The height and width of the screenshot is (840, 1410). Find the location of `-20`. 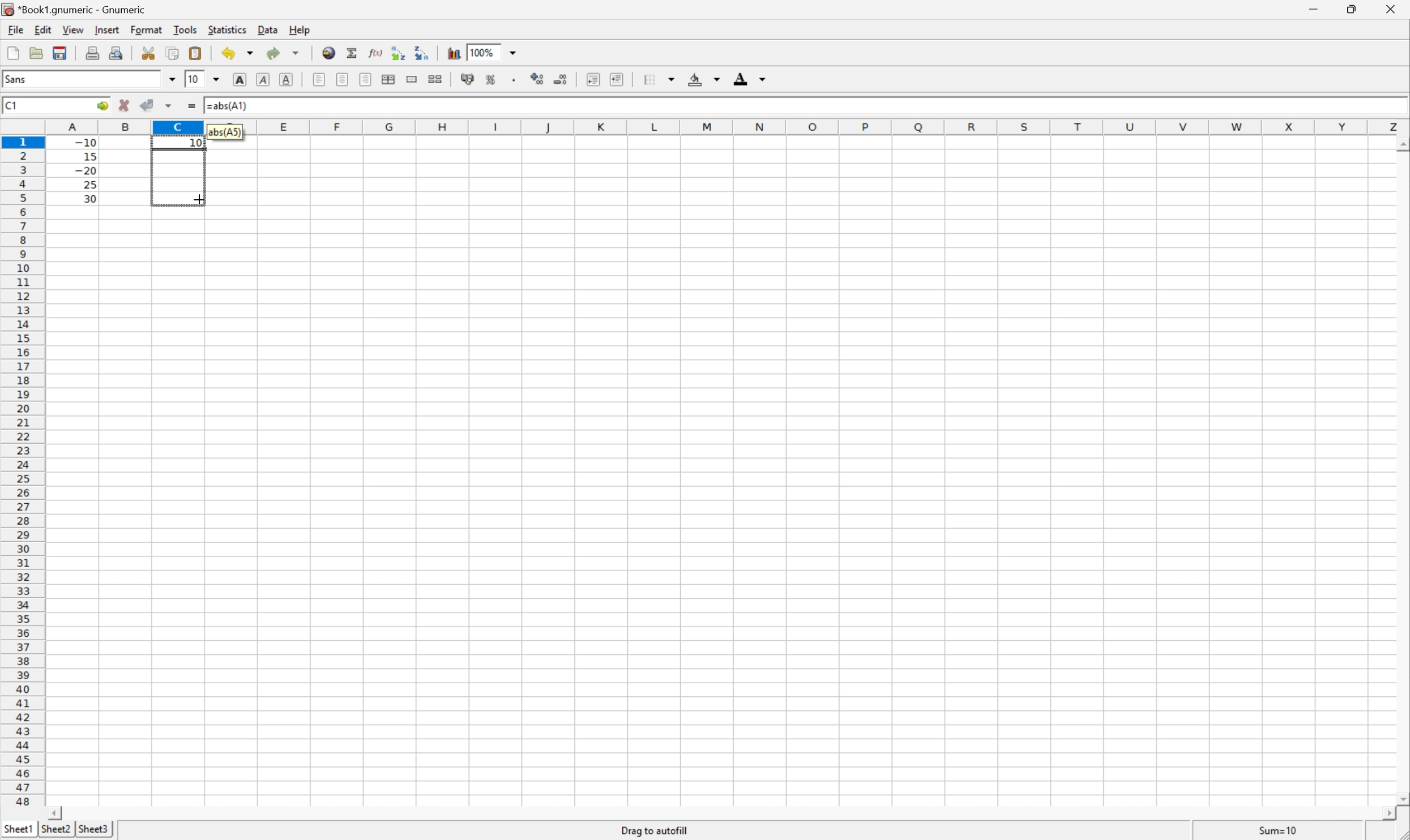

-20 is located at coordinates (86, 171).